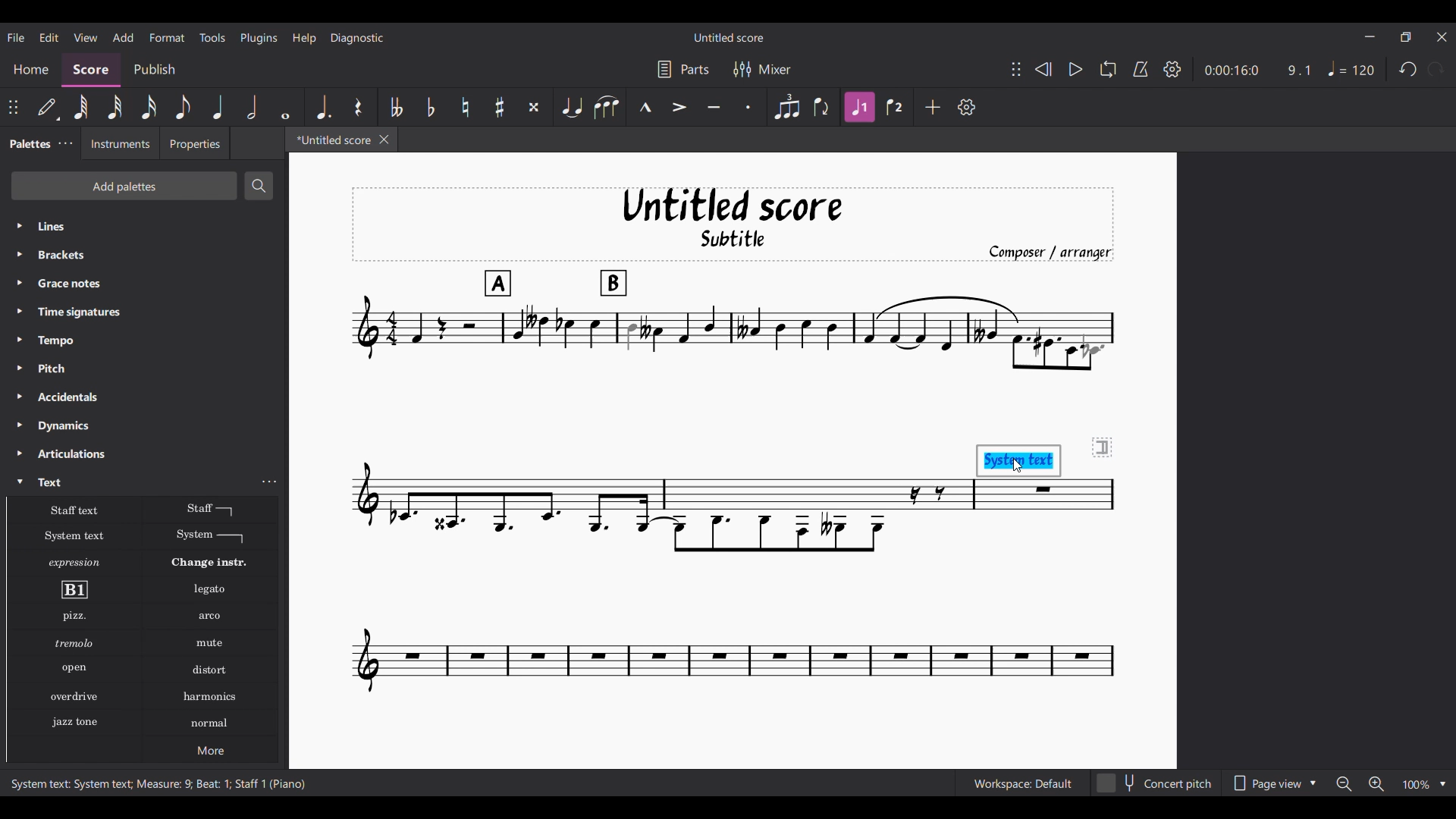 The image size is (1456, 819). What do you see at coordinates (684, 69) in the screenshot?
I see `Parts settings` at bounding box center [684, 69].